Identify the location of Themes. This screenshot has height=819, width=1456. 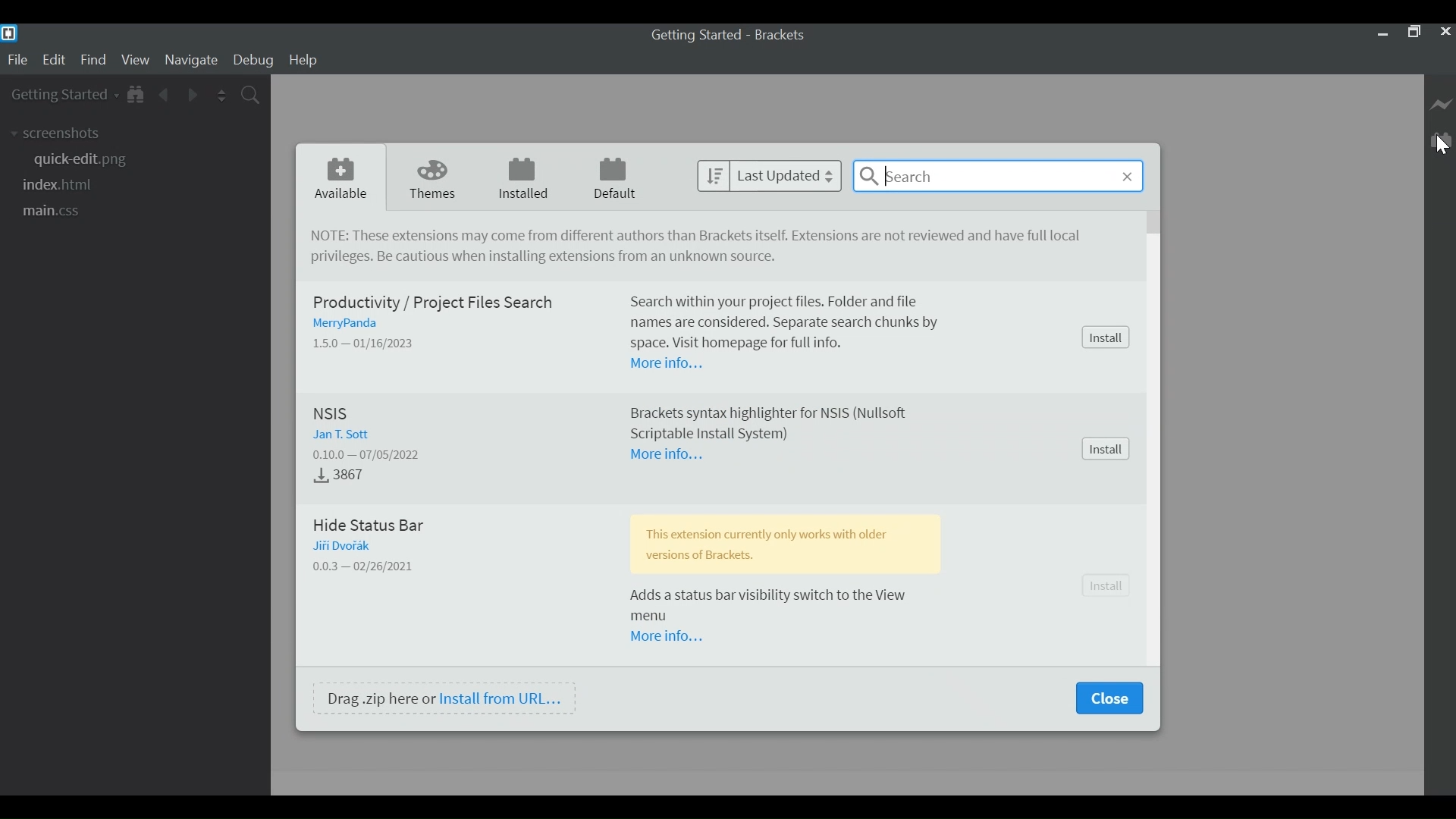
(428, 177).